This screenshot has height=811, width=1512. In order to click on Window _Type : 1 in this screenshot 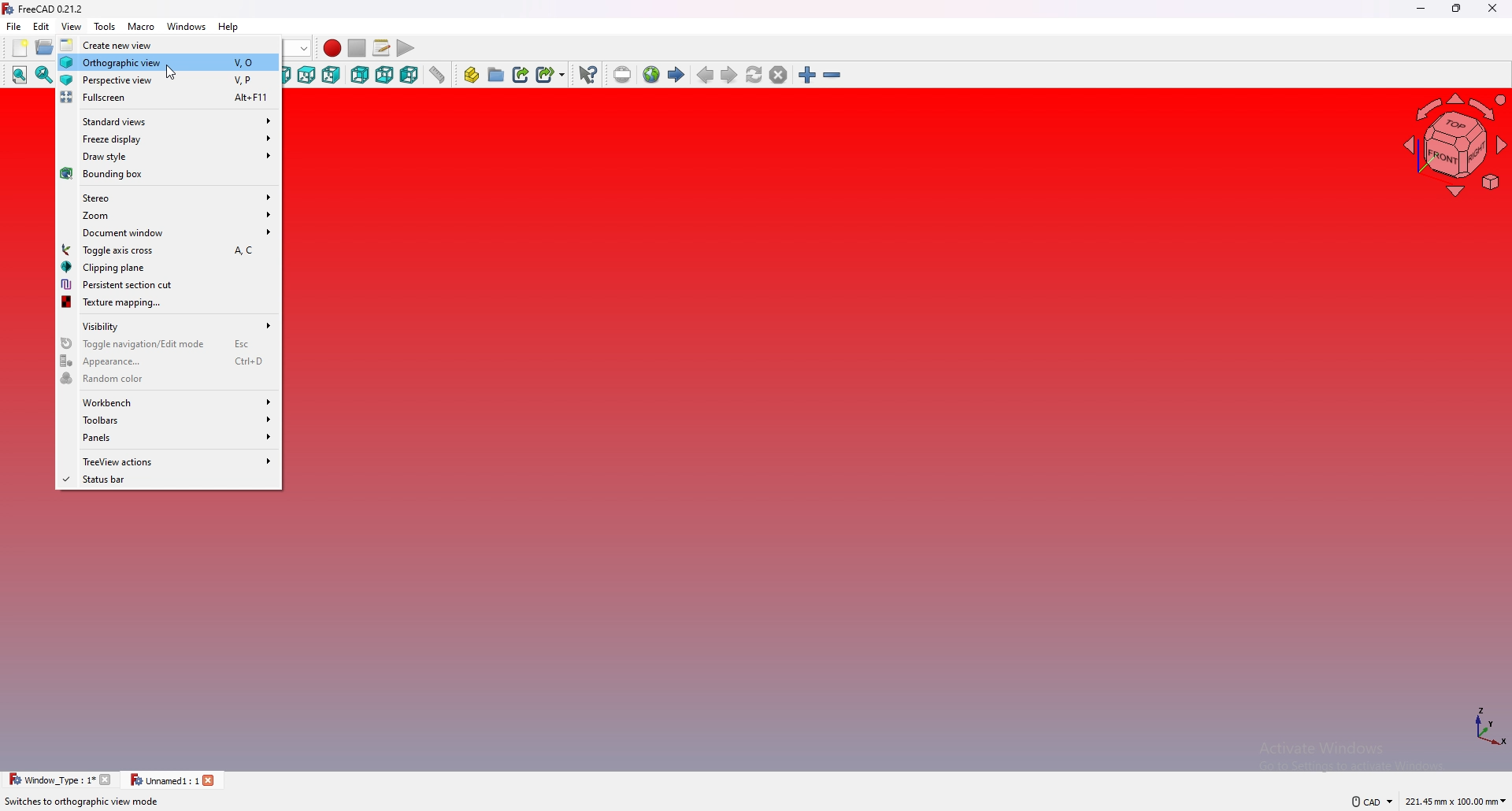, I will do `click(51, 778)`.